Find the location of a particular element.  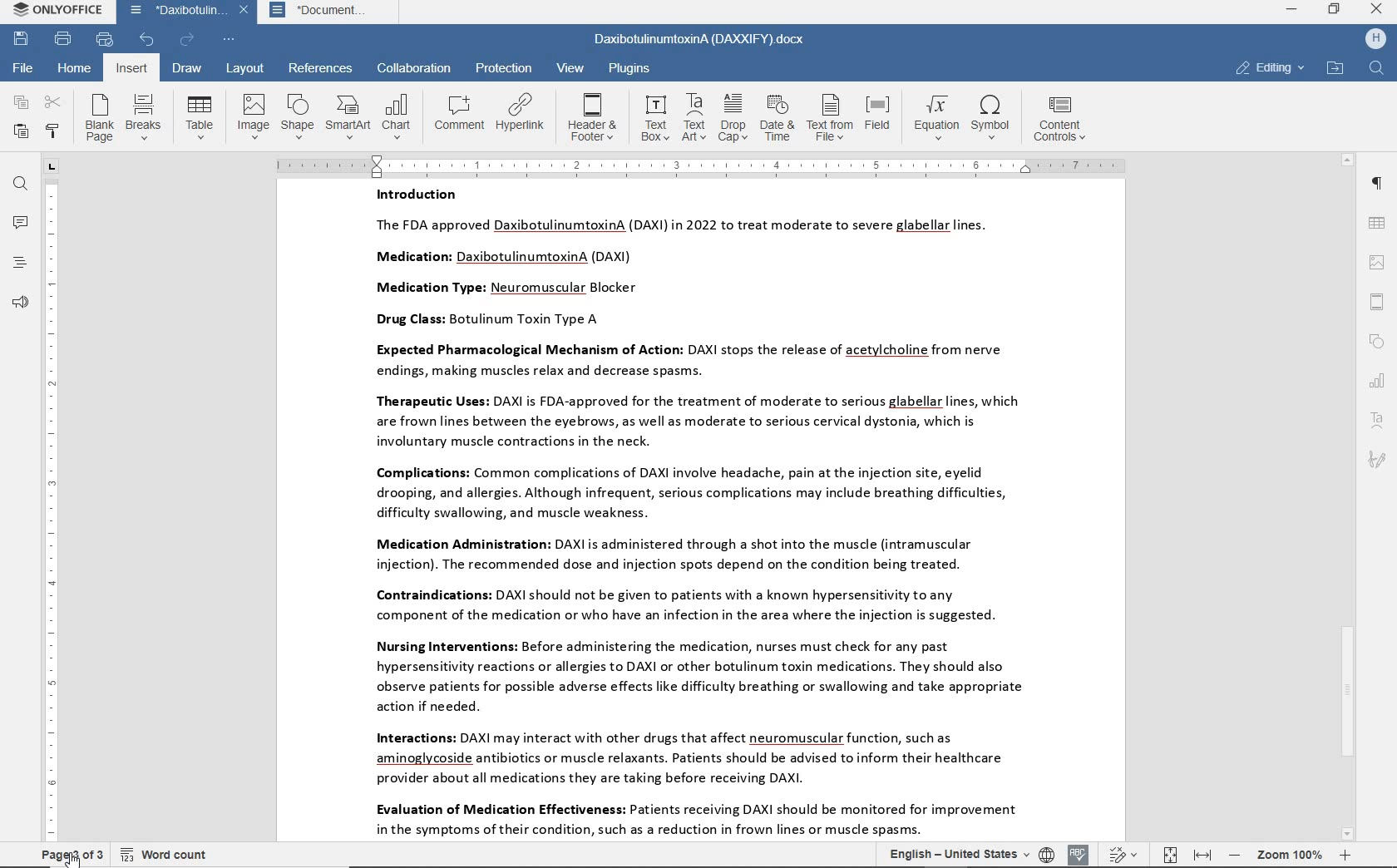

scroll up is located at coordinates (1348, 160).